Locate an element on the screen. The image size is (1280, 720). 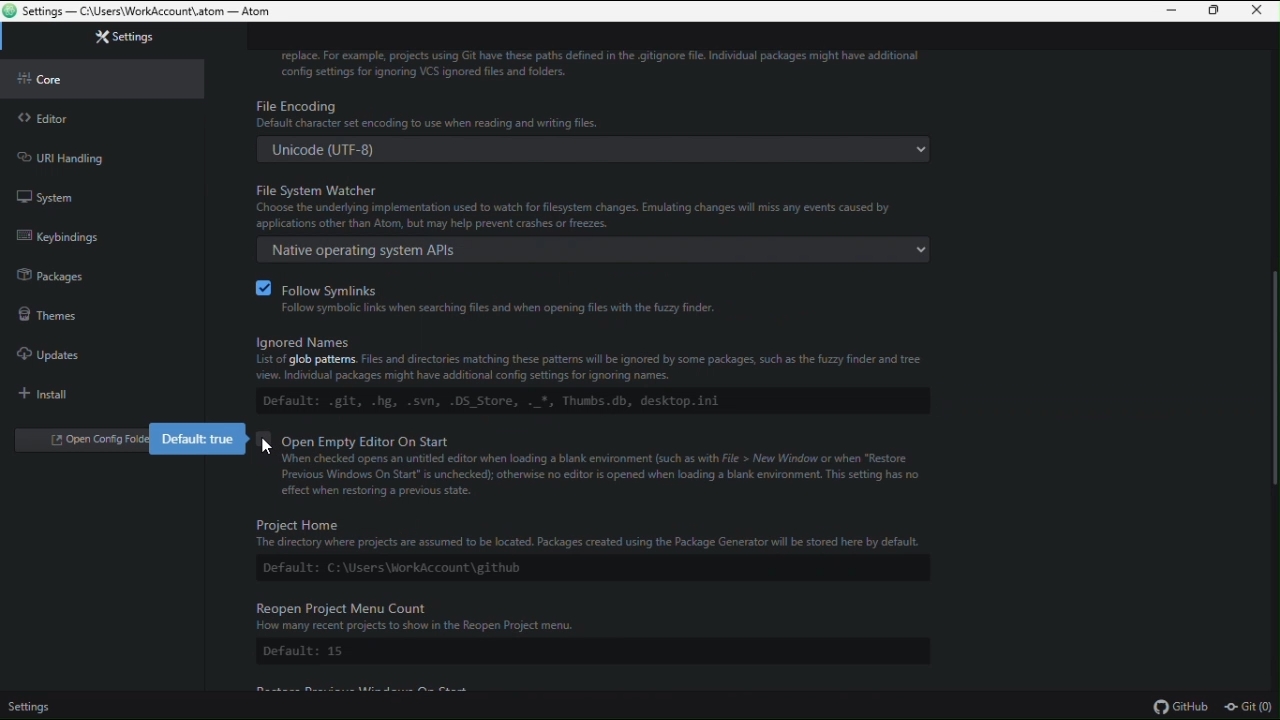
ignored names is located at coordinates (602, 358).